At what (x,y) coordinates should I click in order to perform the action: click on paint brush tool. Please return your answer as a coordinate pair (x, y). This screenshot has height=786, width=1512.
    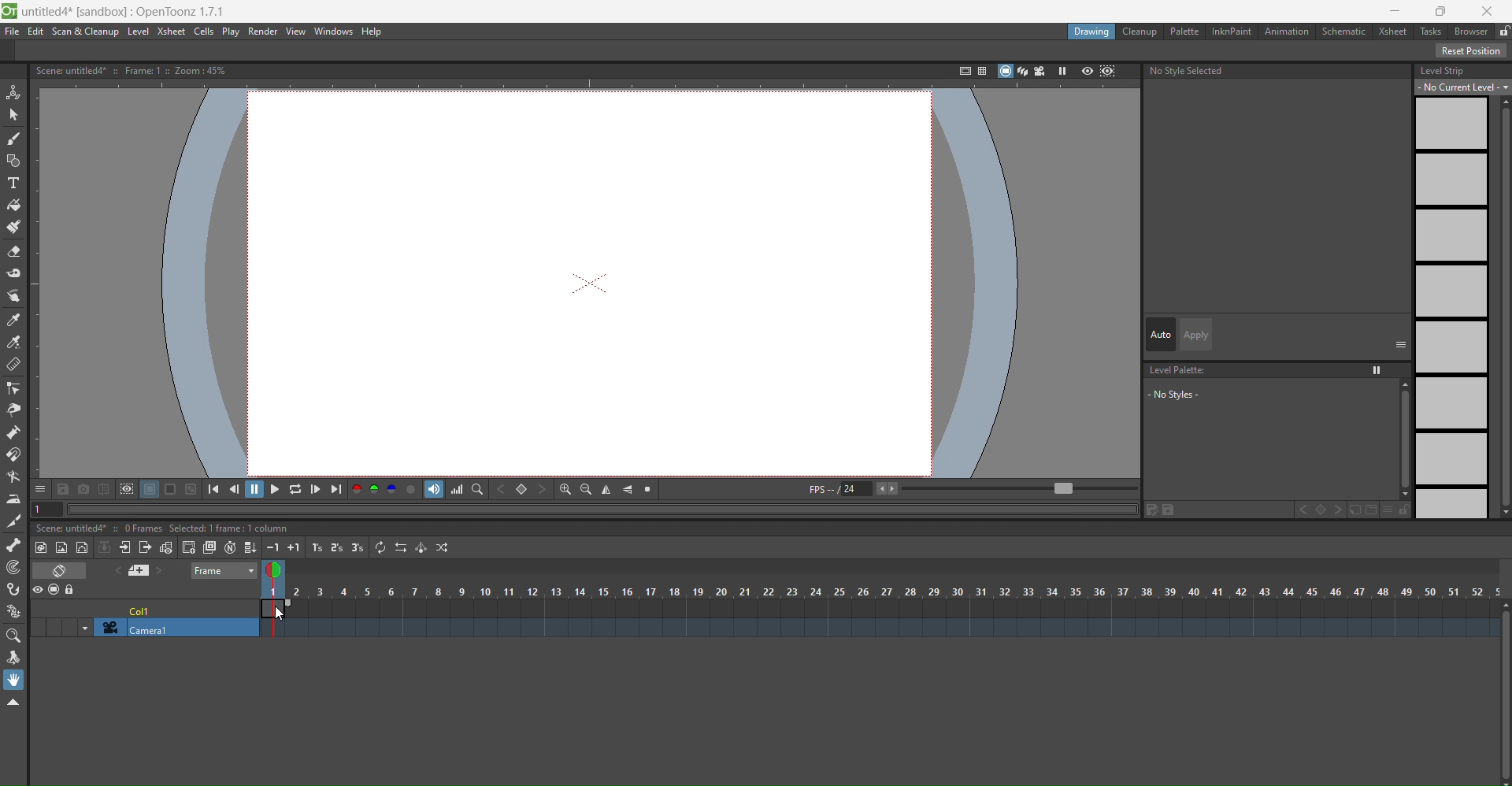
    Looking at the image, I should click on (14, 226).